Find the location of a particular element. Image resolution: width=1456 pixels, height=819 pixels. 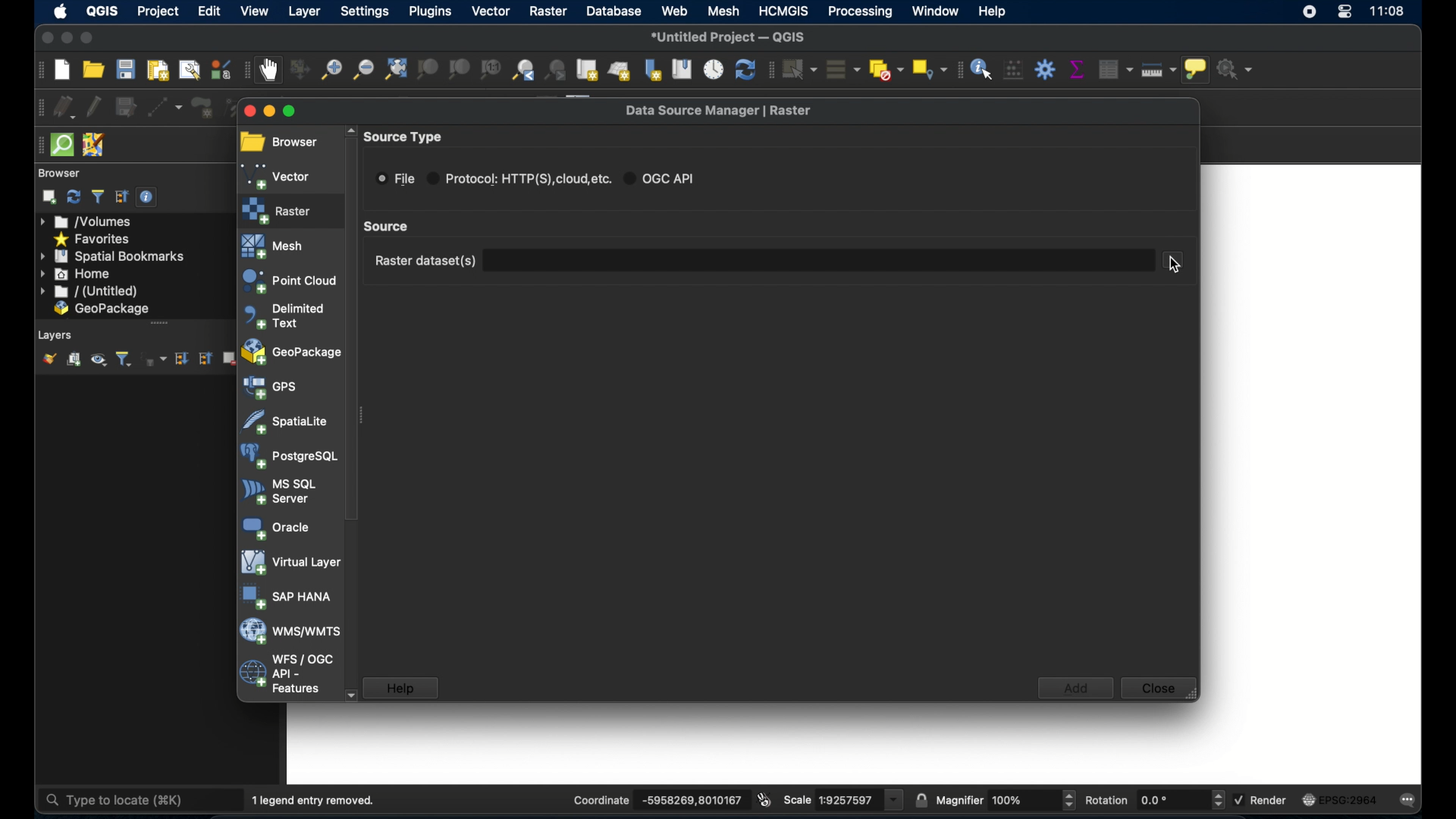

coordinate is located at coordinates (689, 800).